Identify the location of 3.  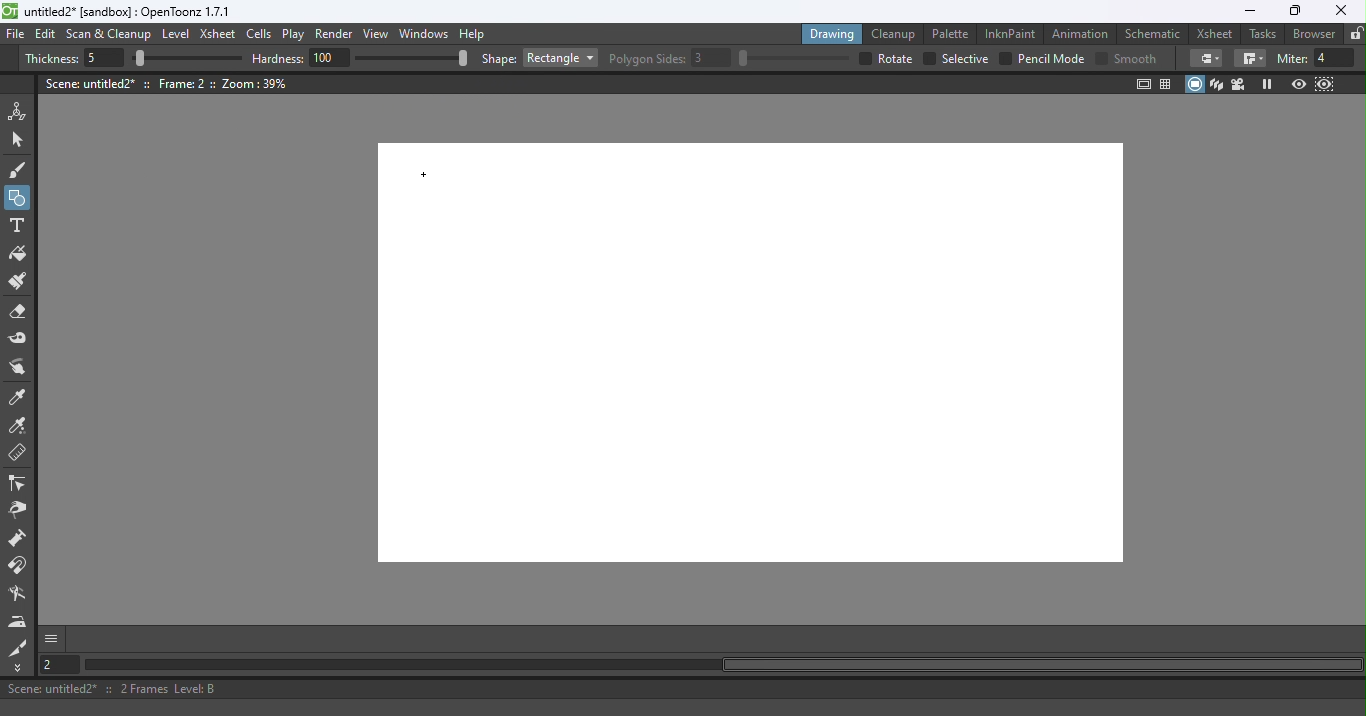
(712, 58).